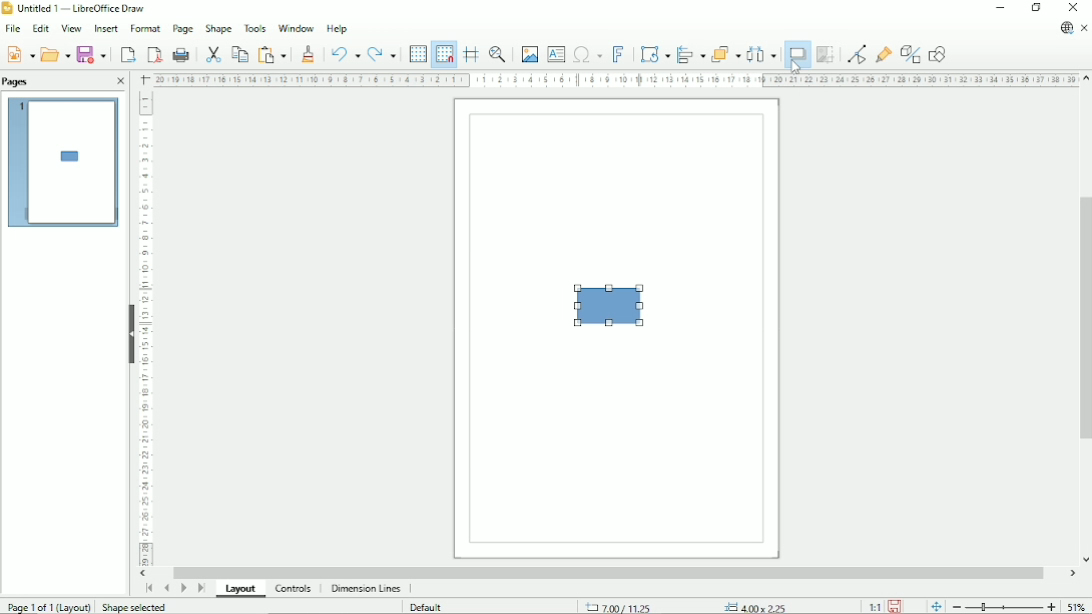 This screenshot has width=1092, height=614. Describe the element at coordinates (166, 590) in the screenshot. I see `Previous page` at that location.